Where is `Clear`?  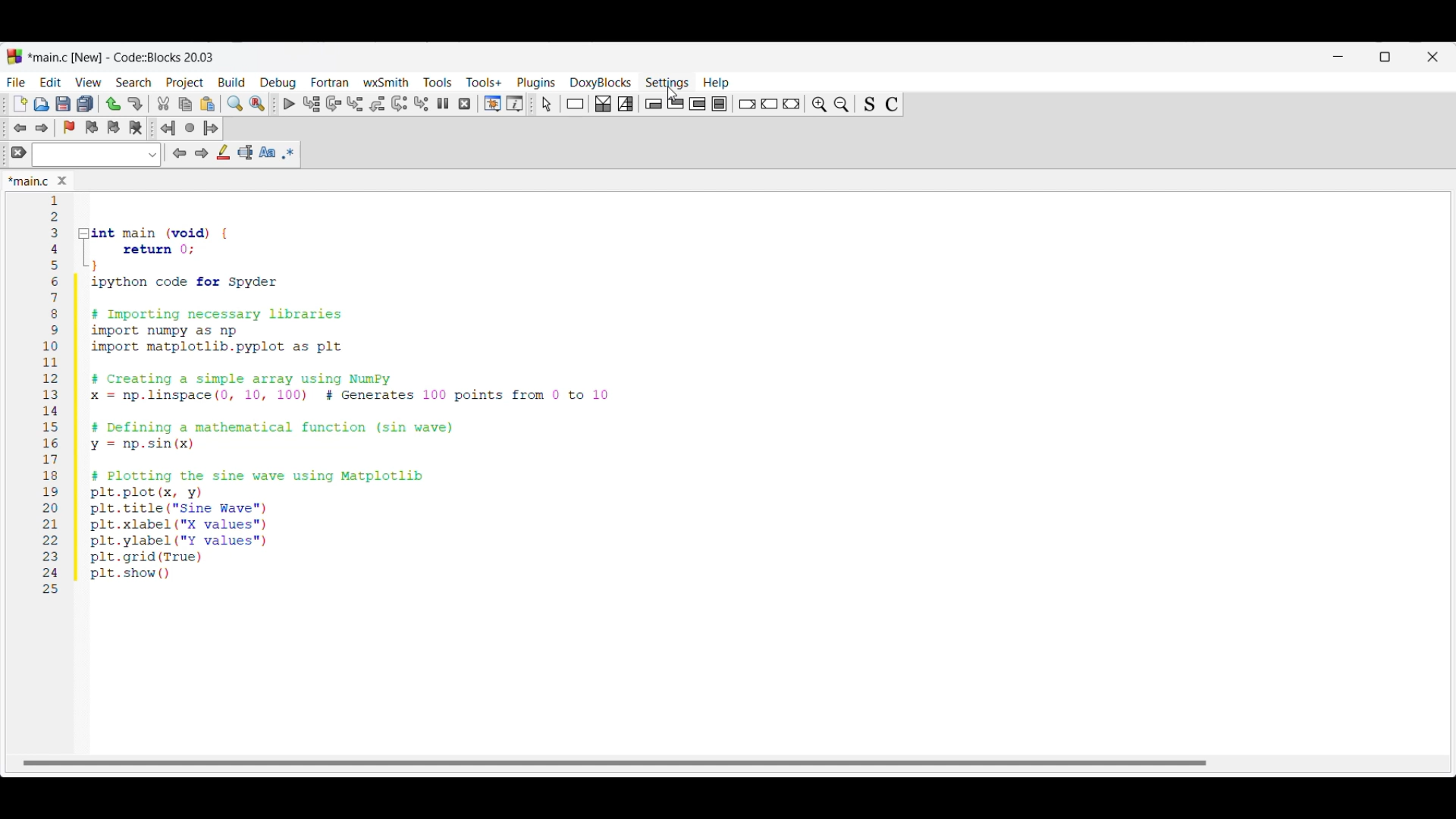
Clear is located at coordinates (19, 152).